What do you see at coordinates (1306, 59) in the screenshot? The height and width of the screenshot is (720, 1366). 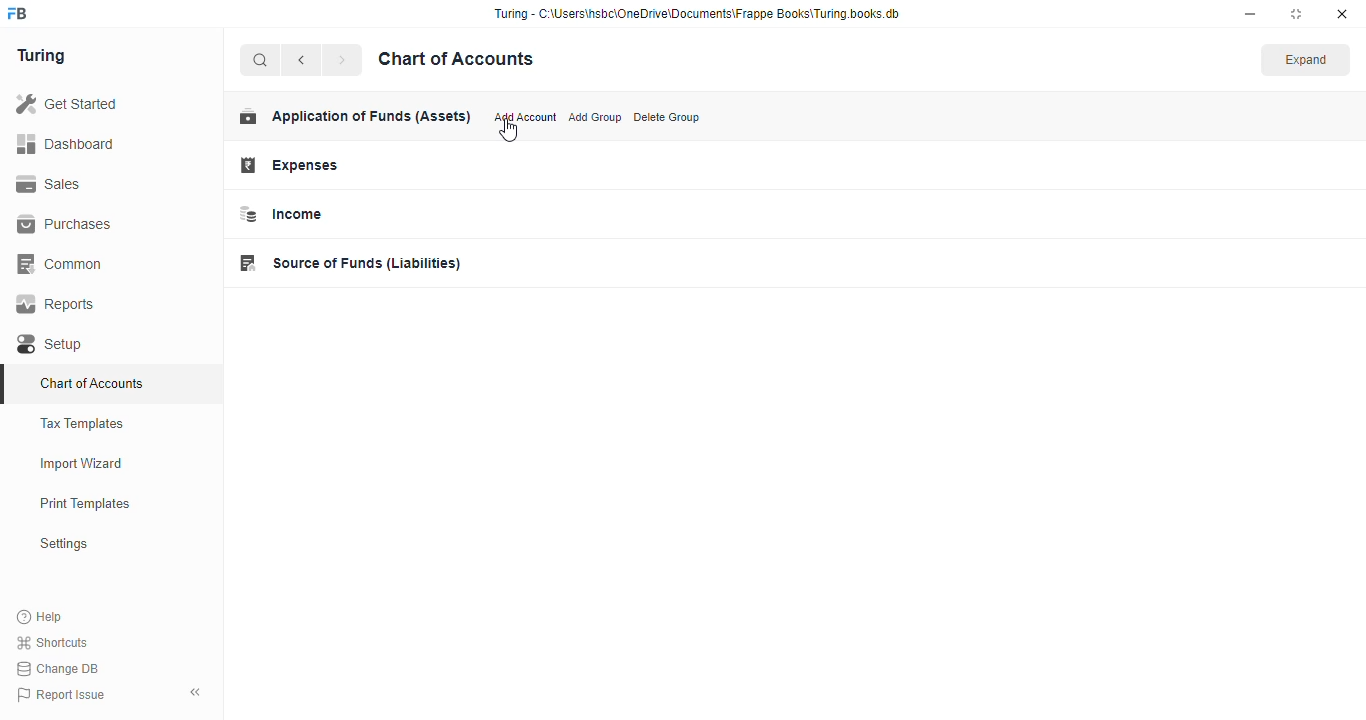 I see `expand` at bounding box center [1306, 59].